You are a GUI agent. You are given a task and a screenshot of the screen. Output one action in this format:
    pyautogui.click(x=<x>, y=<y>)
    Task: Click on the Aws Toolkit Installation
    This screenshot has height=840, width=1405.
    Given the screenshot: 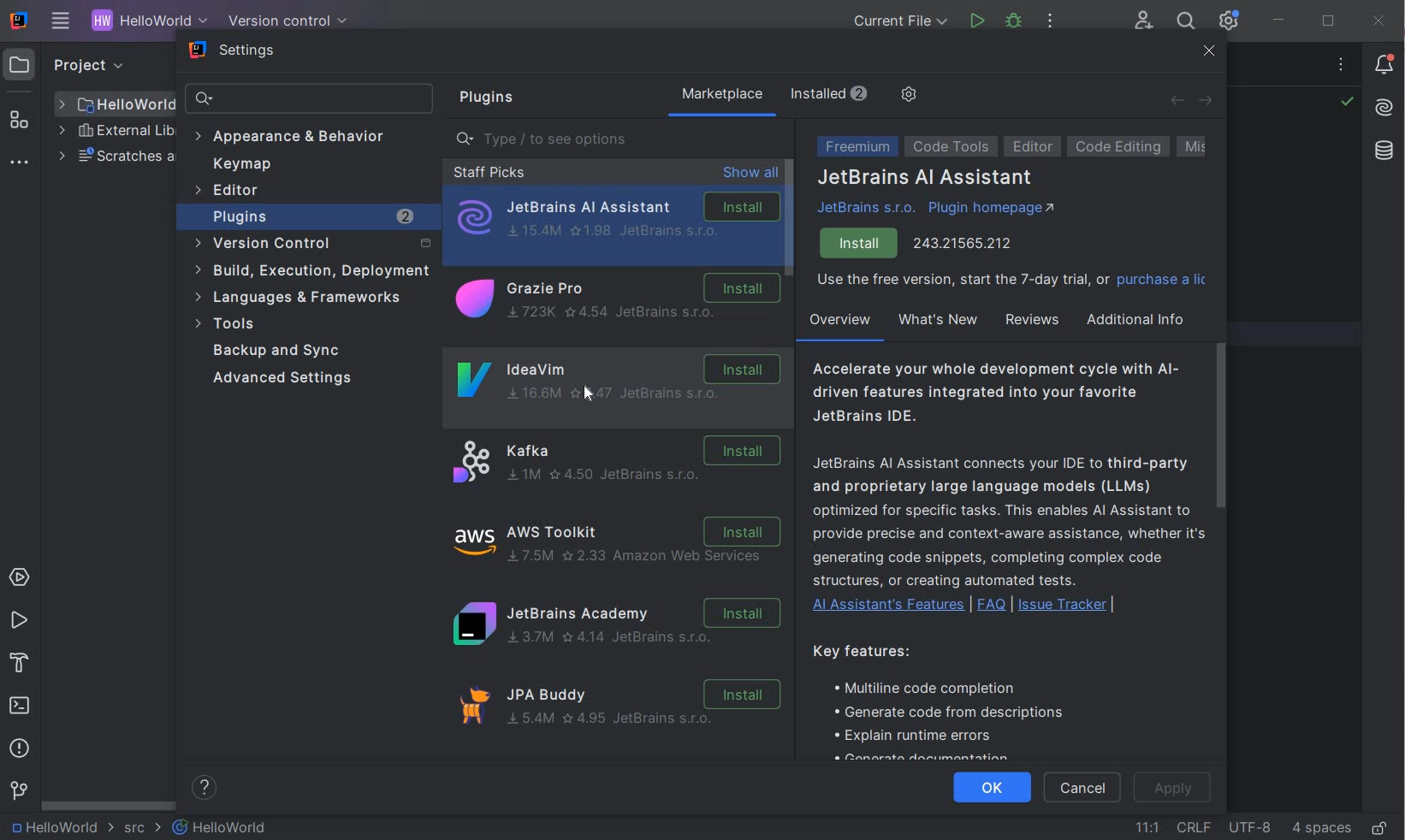 What is the action you would take?
    pyautogui.click(x=620, y=543)
    